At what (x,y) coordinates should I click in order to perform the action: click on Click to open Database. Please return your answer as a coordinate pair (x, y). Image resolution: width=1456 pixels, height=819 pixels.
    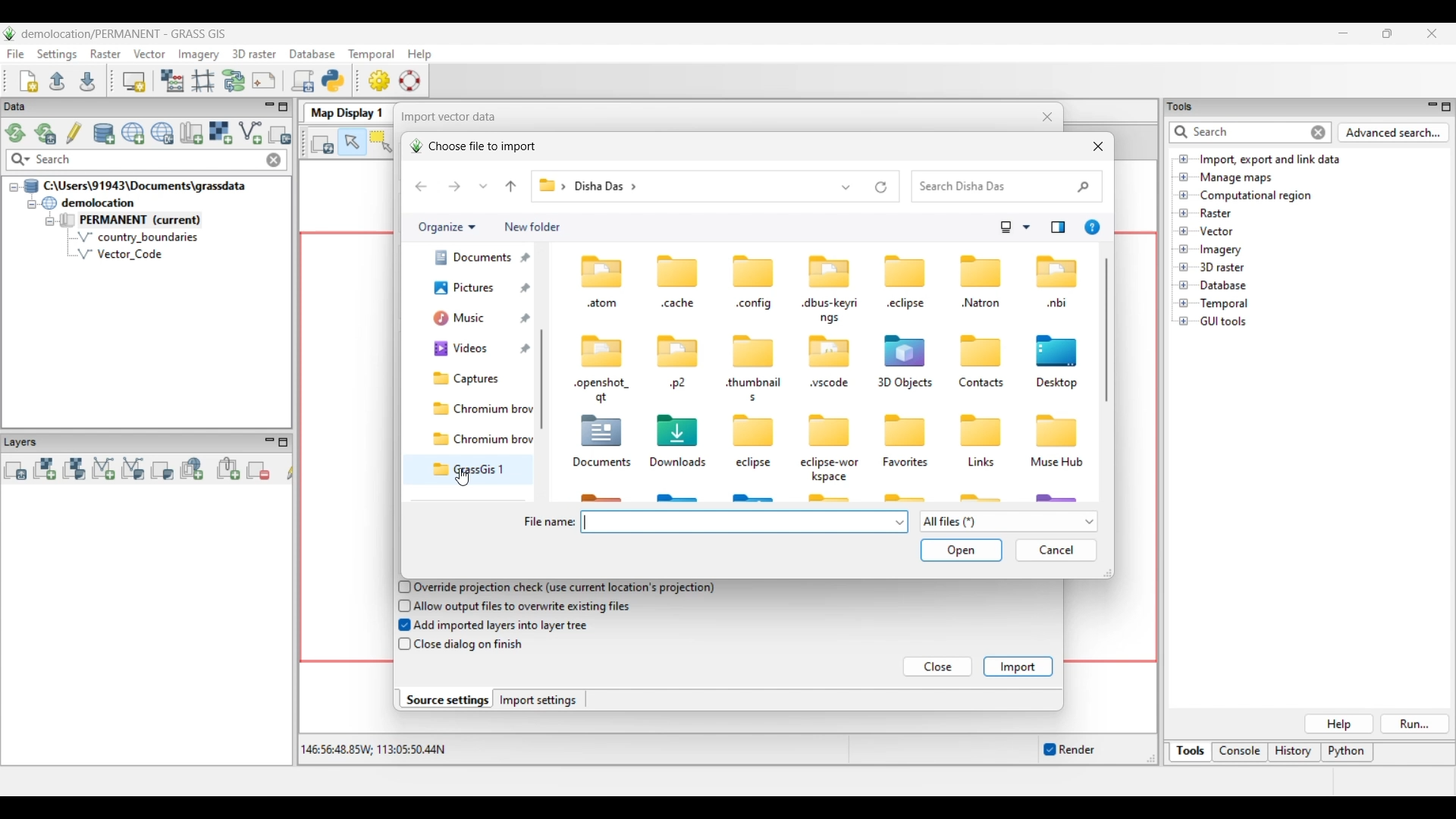
    Looking at the image, I should click on (1184, 285).